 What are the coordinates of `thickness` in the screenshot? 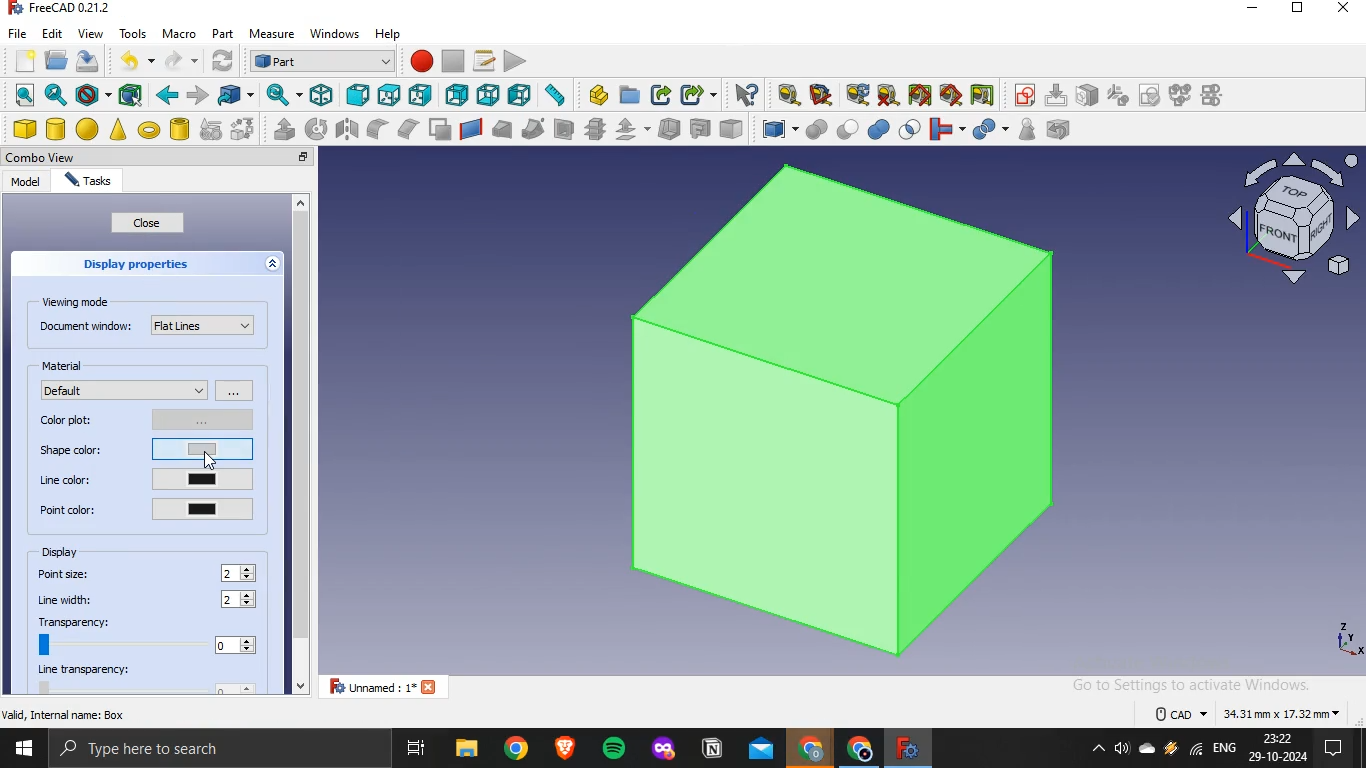 It's located at (670, 127).